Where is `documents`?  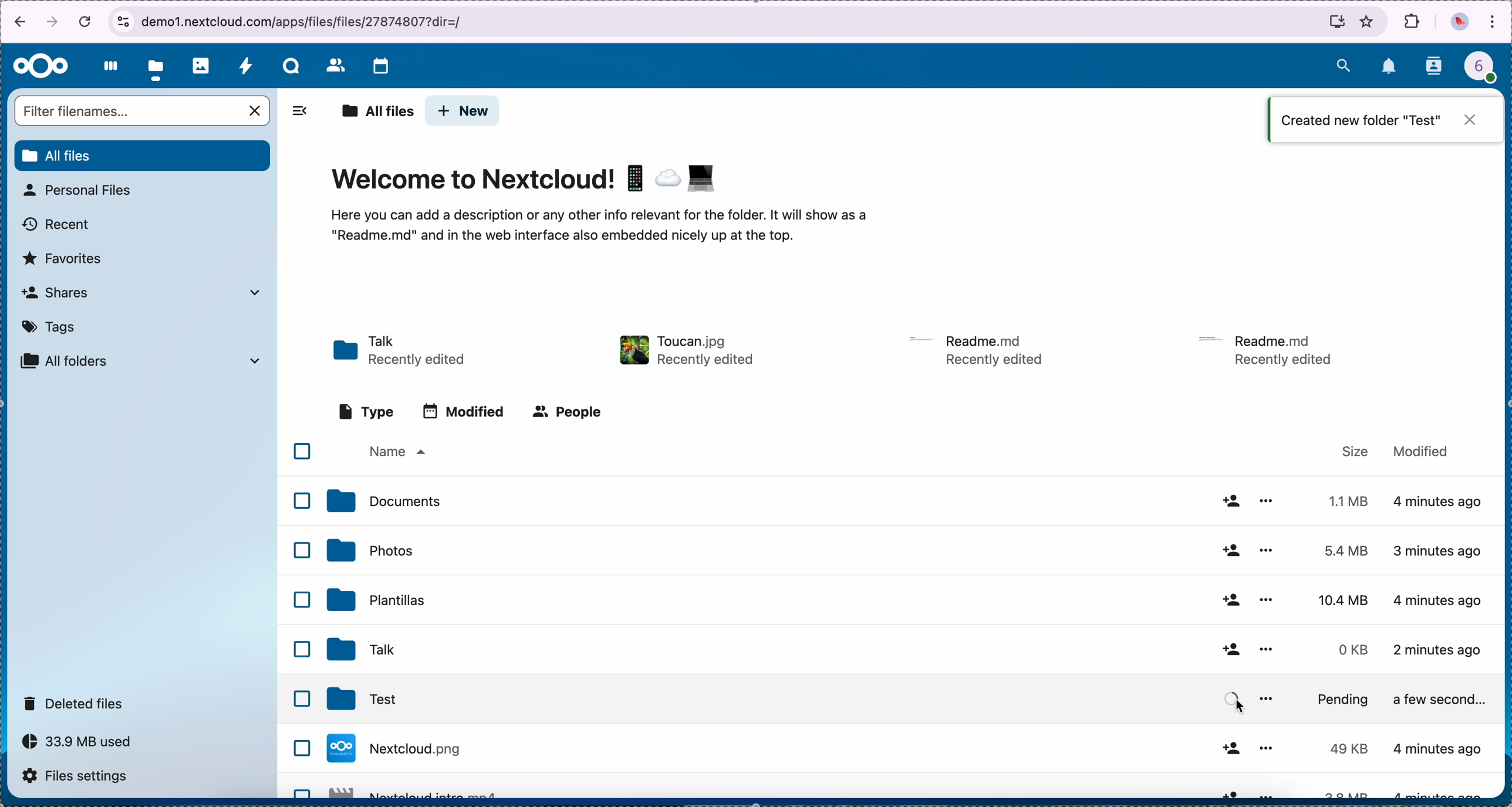
documents is located at coordinates (383, 501).